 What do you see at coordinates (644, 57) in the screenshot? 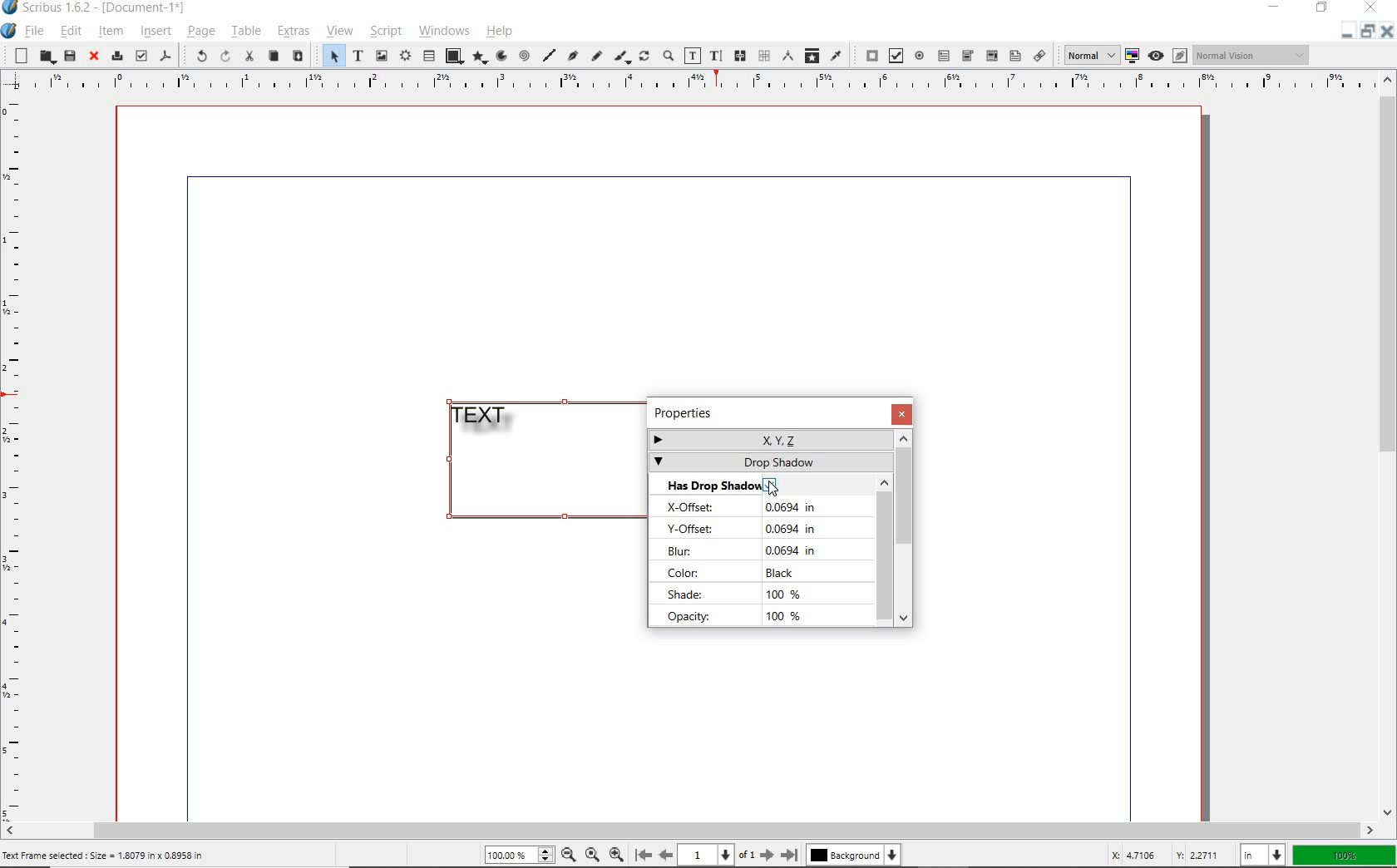
I see `rotate item` at bounding box center [644, 57].